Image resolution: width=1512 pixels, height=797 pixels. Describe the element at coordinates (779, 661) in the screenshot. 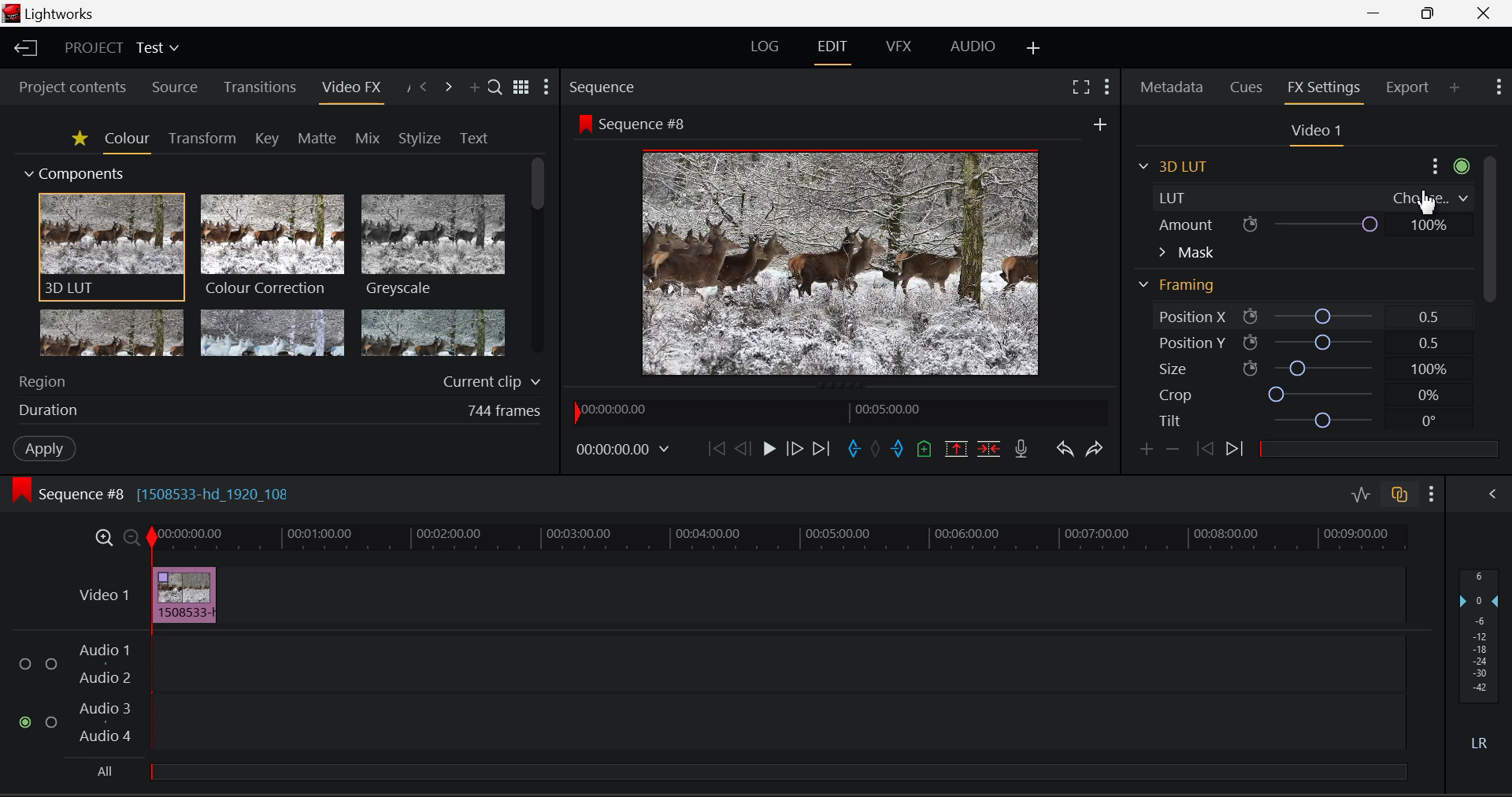

I see `Audio Track` at that location.